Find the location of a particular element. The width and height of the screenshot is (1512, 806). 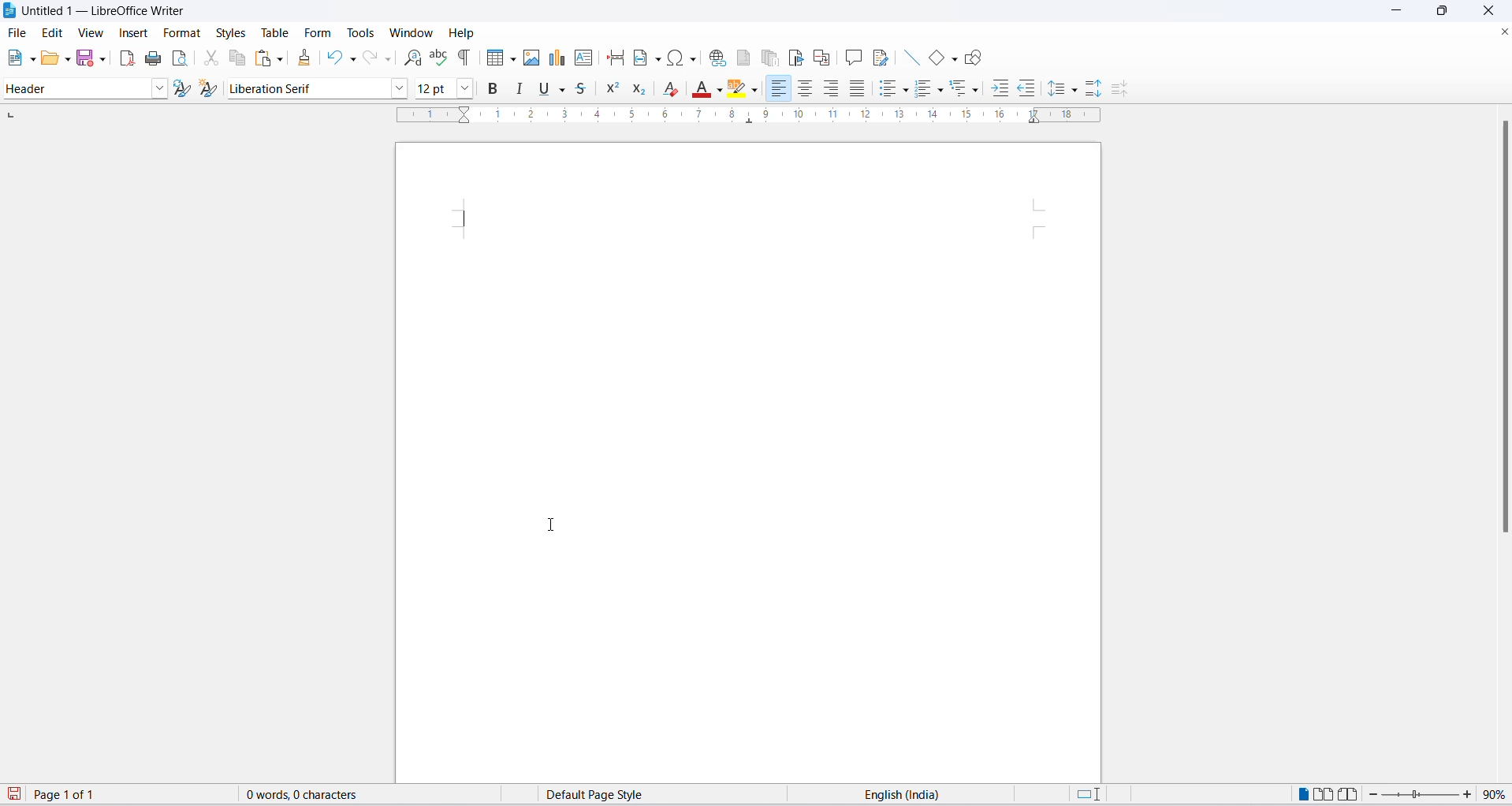

file  options is located at coordinates (32, 58).